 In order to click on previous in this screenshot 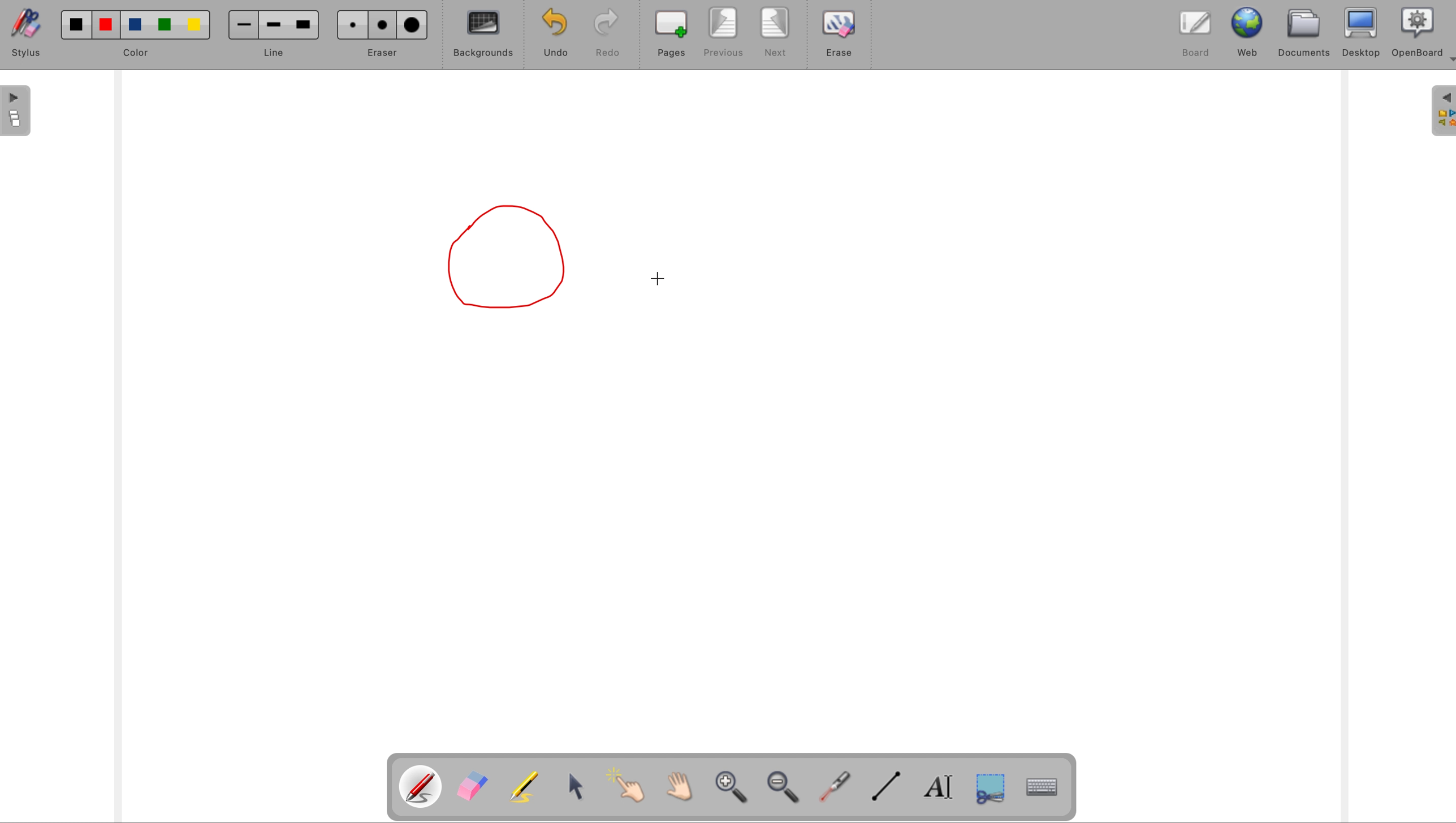, I will do `click(725, 32)`.